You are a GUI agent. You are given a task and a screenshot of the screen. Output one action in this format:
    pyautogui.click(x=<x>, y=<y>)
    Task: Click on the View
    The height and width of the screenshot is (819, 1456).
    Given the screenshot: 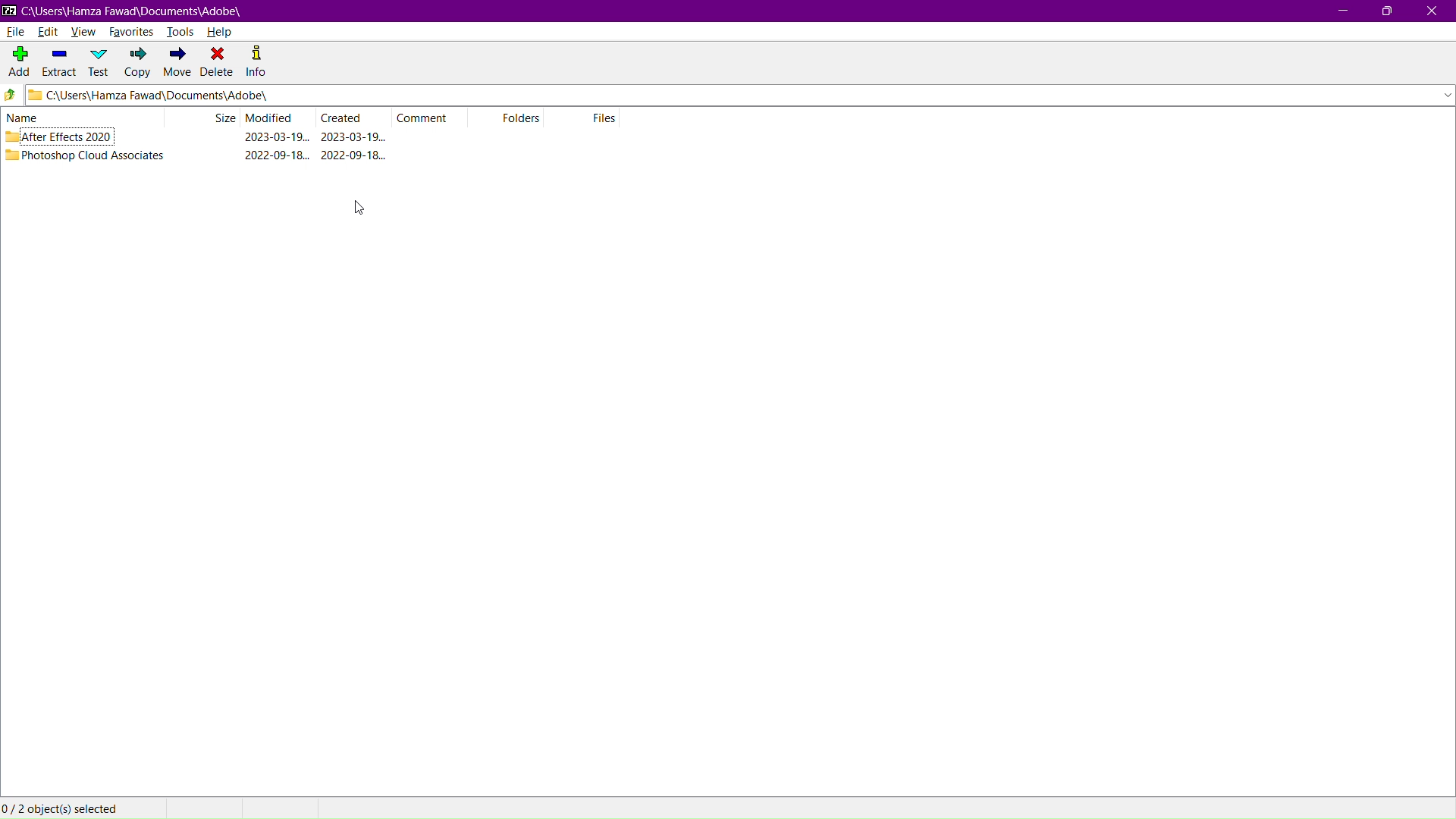 What is the action you would take?
    pyautogui.click(x=83, y=30)
    